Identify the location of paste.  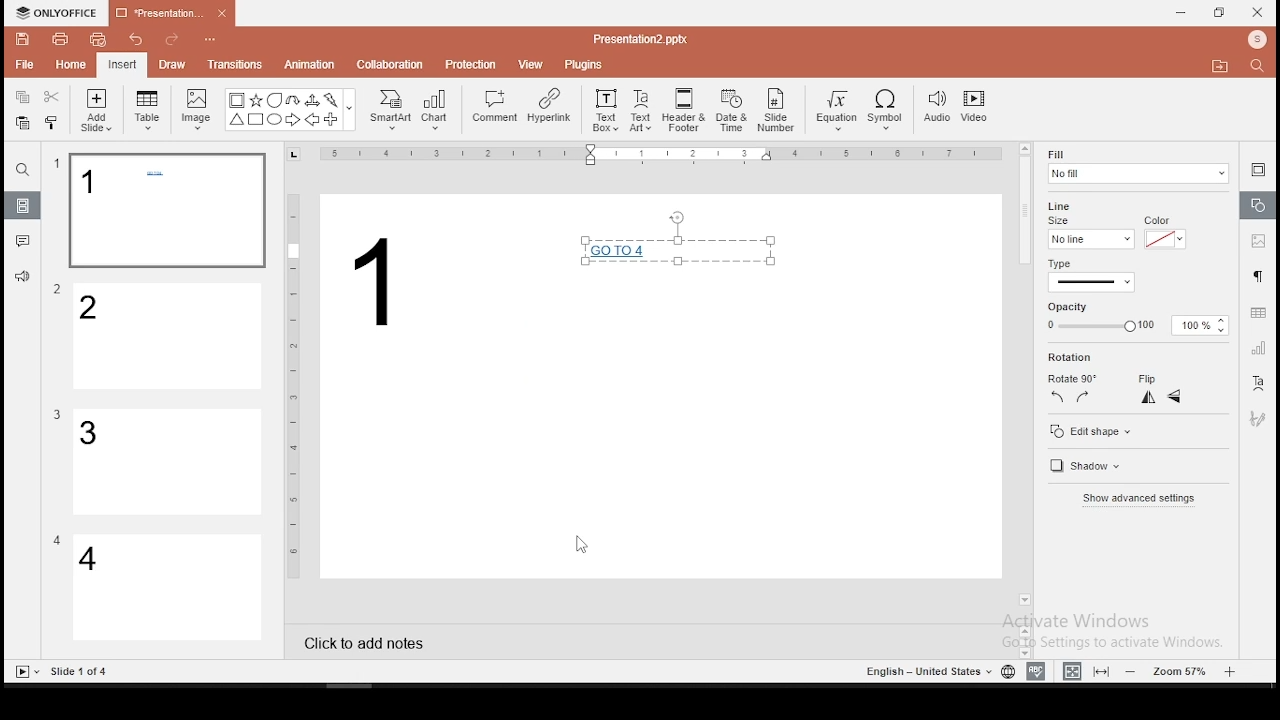
(21, 123).